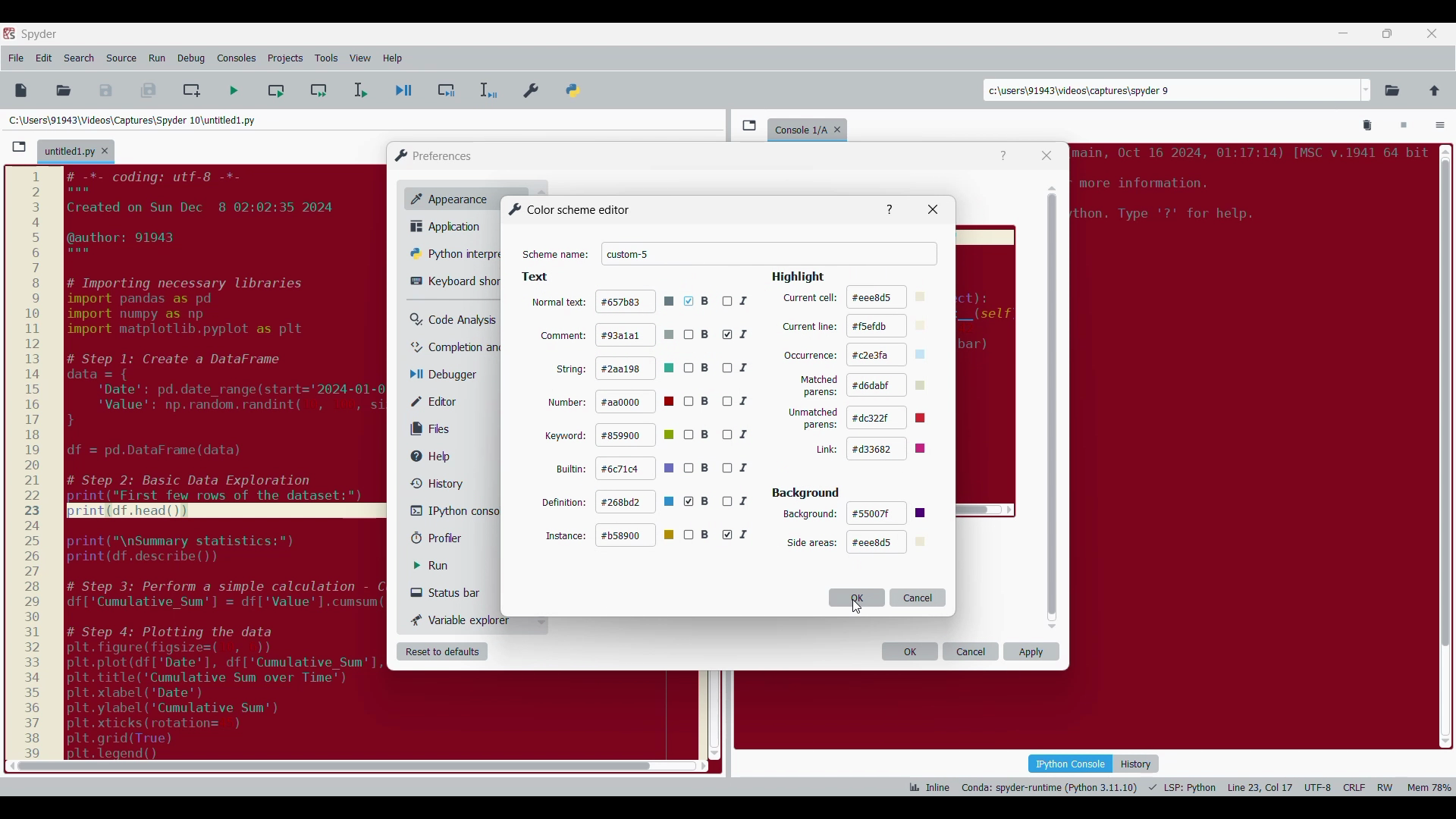  What do you see at coordinates (438, 457) in the screenshot?
I see `Help` at bounding box center [438, 457].